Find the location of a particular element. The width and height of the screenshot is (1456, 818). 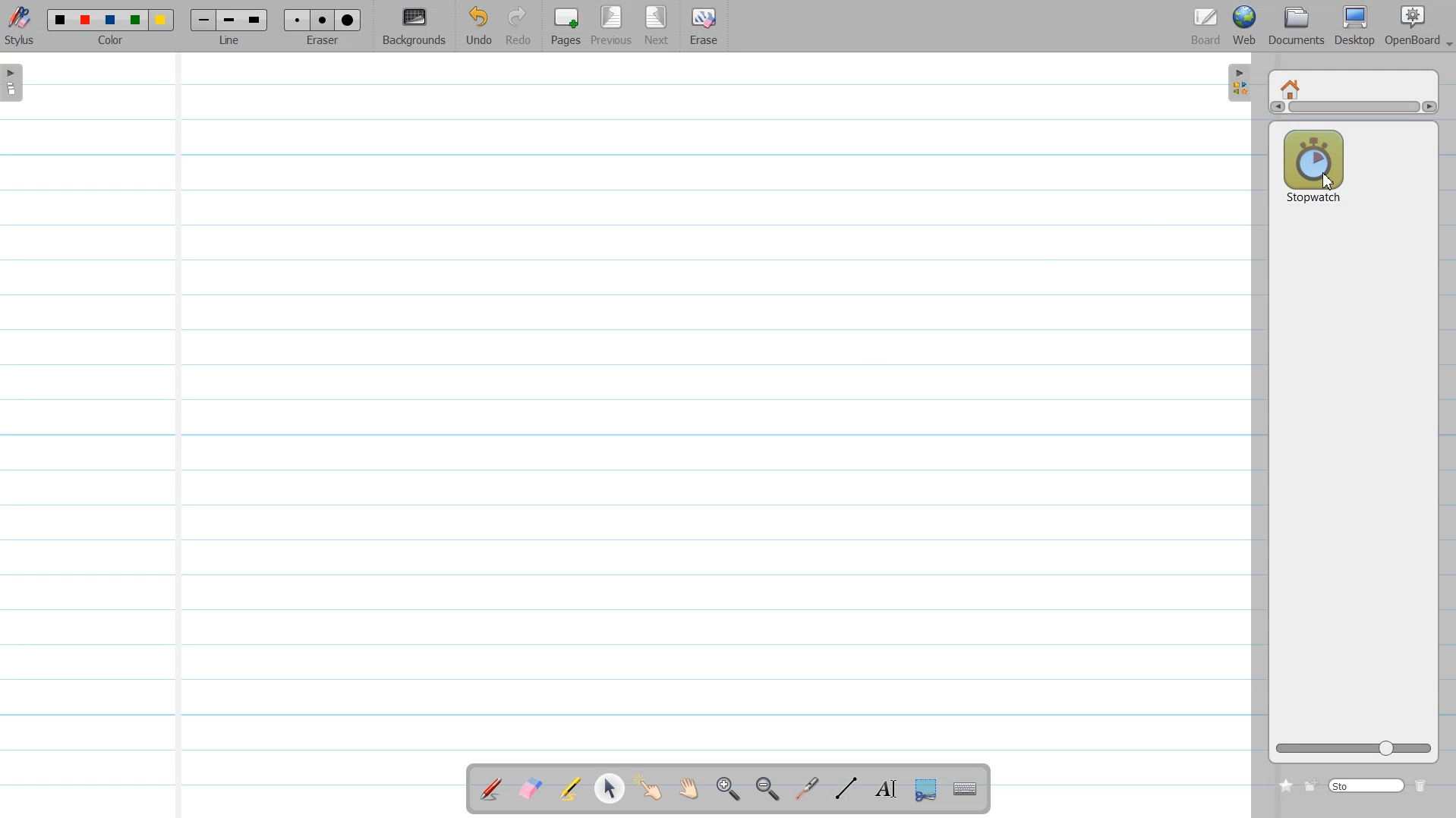

Display Virtual Keyboard  is located at coordinates (967, 789).